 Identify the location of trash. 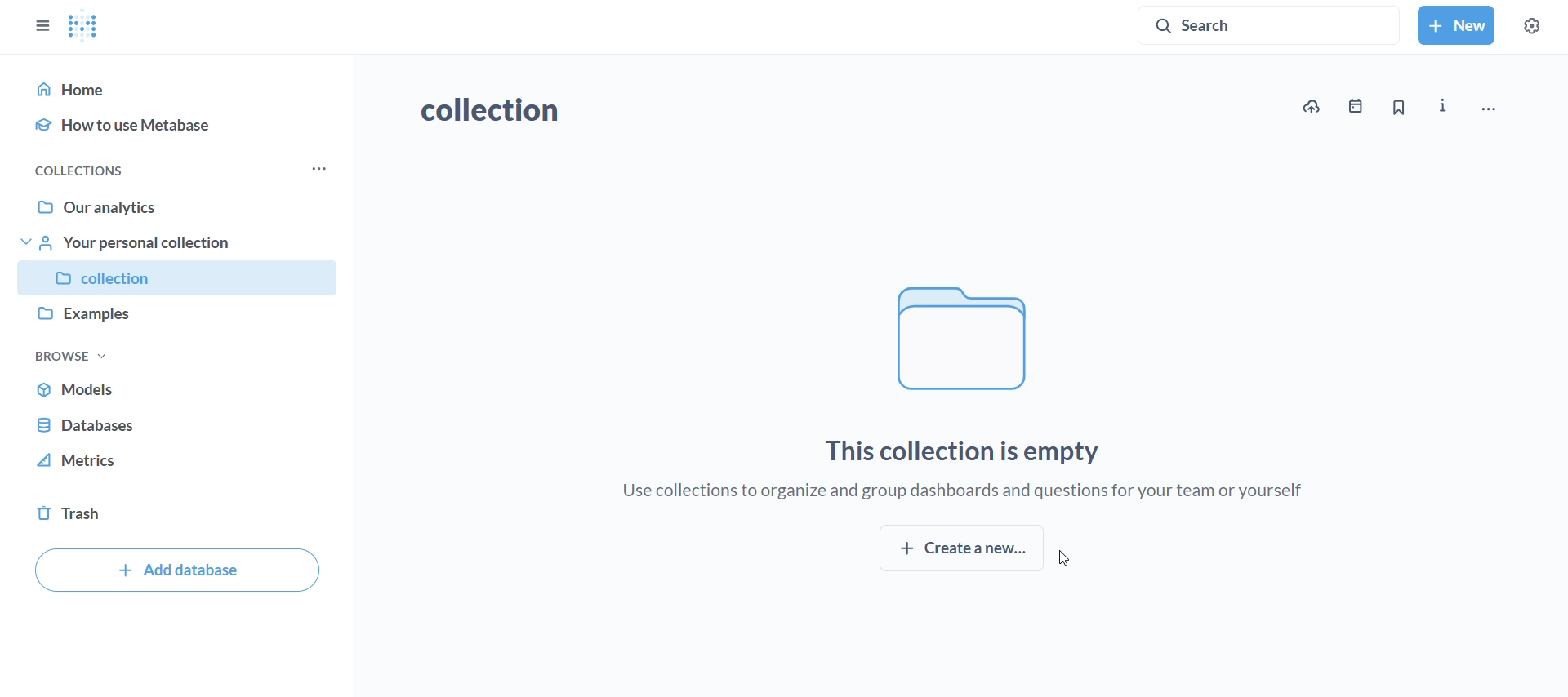
(172, 516).